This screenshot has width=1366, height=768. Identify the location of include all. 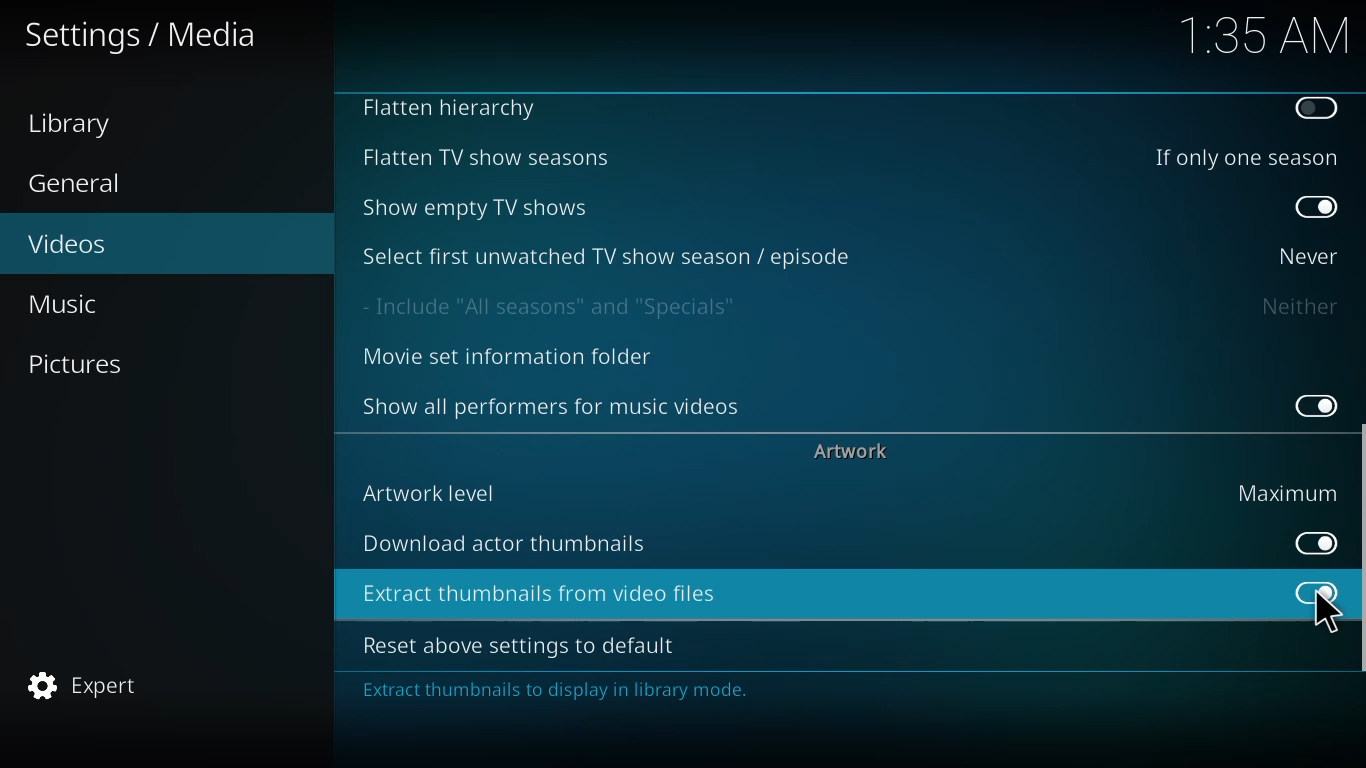
(557, 306).